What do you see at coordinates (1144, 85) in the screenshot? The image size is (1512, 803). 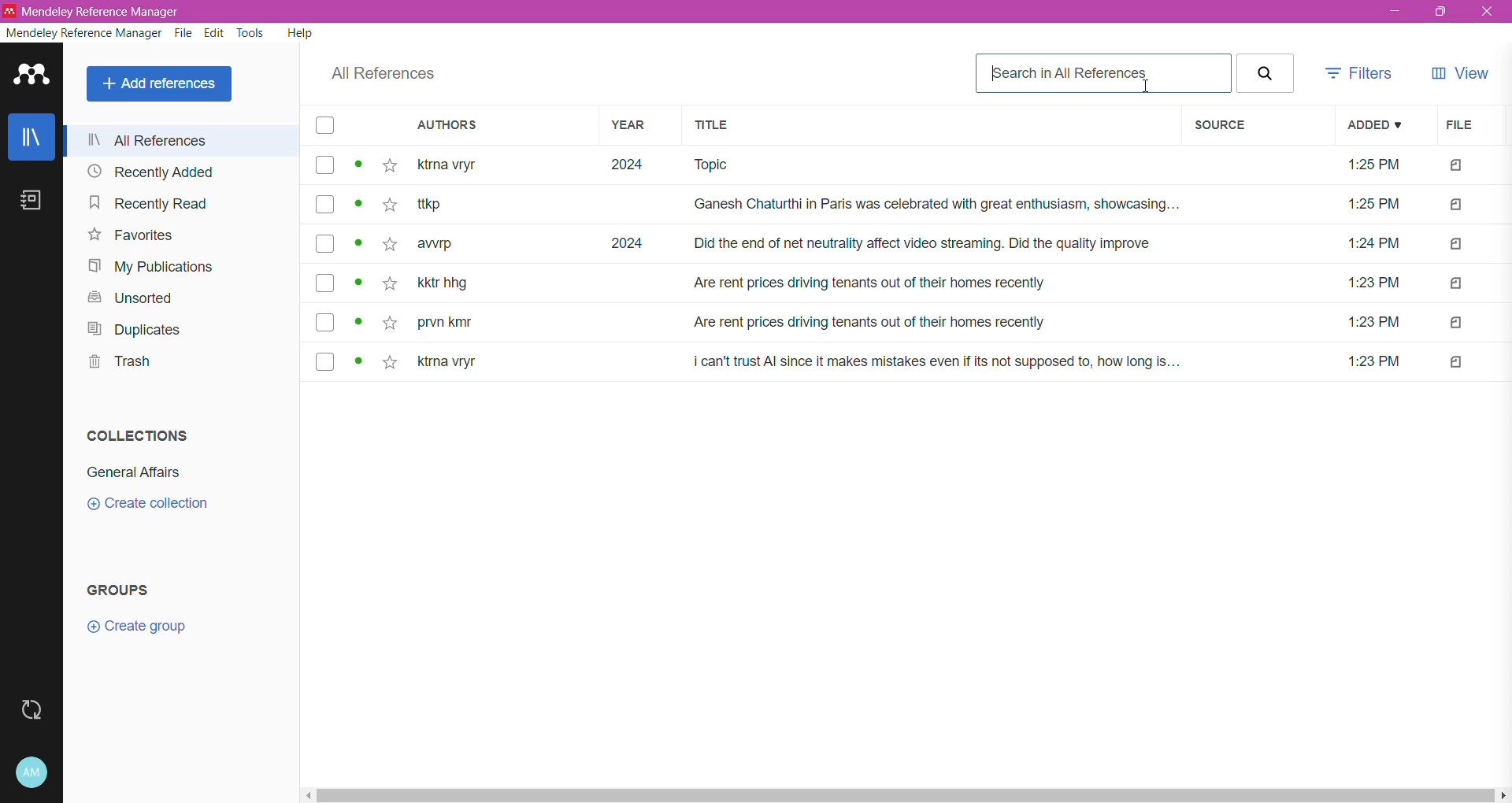 I see `cursor` at bounding box center [1144, 85].